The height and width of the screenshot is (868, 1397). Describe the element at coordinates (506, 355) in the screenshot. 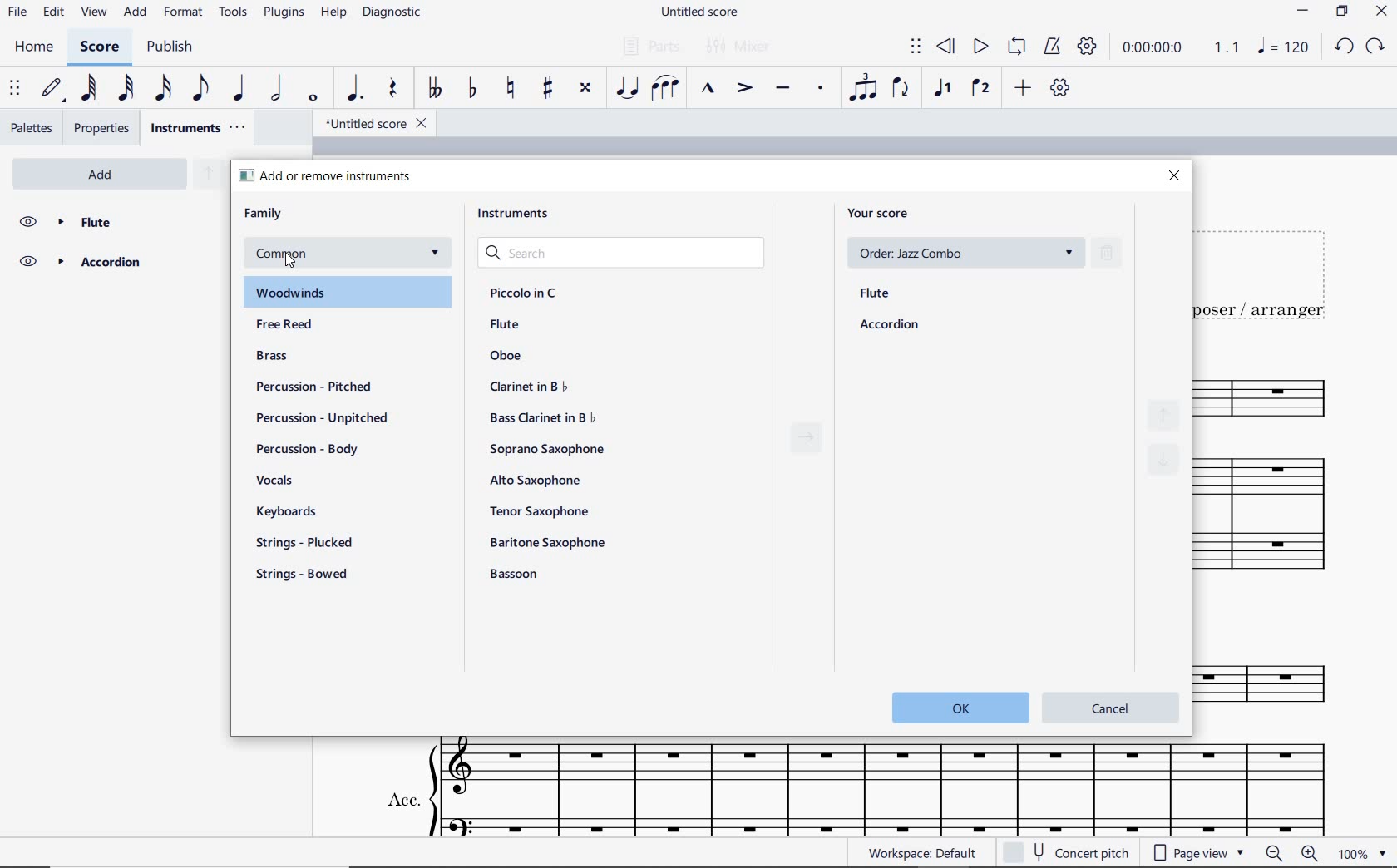

I see `oboe` at that location.